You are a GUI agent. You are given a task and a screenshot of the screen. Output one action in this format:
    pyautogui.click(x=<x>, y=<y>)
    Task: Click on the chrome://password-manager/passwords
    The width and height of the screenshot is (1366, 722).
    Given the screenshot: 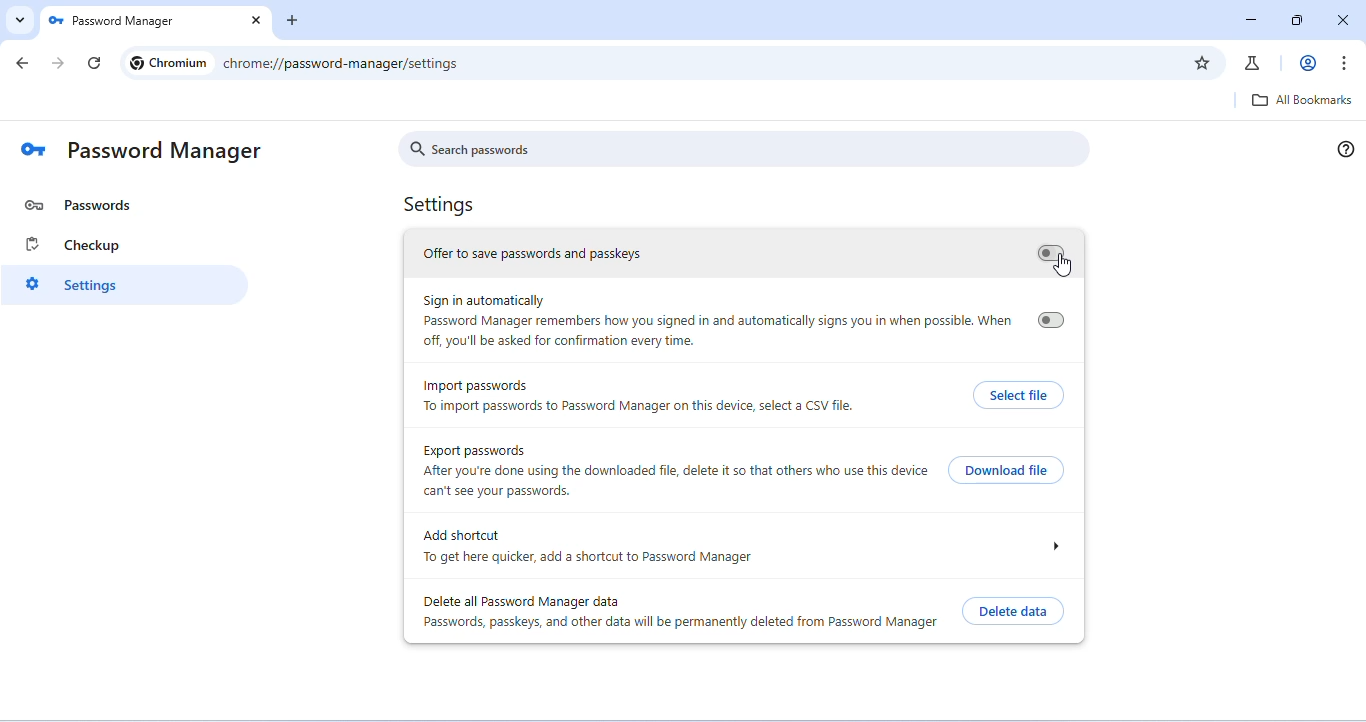 What is the action you would take?
    pyautogui.click(x=349, y=62)
    